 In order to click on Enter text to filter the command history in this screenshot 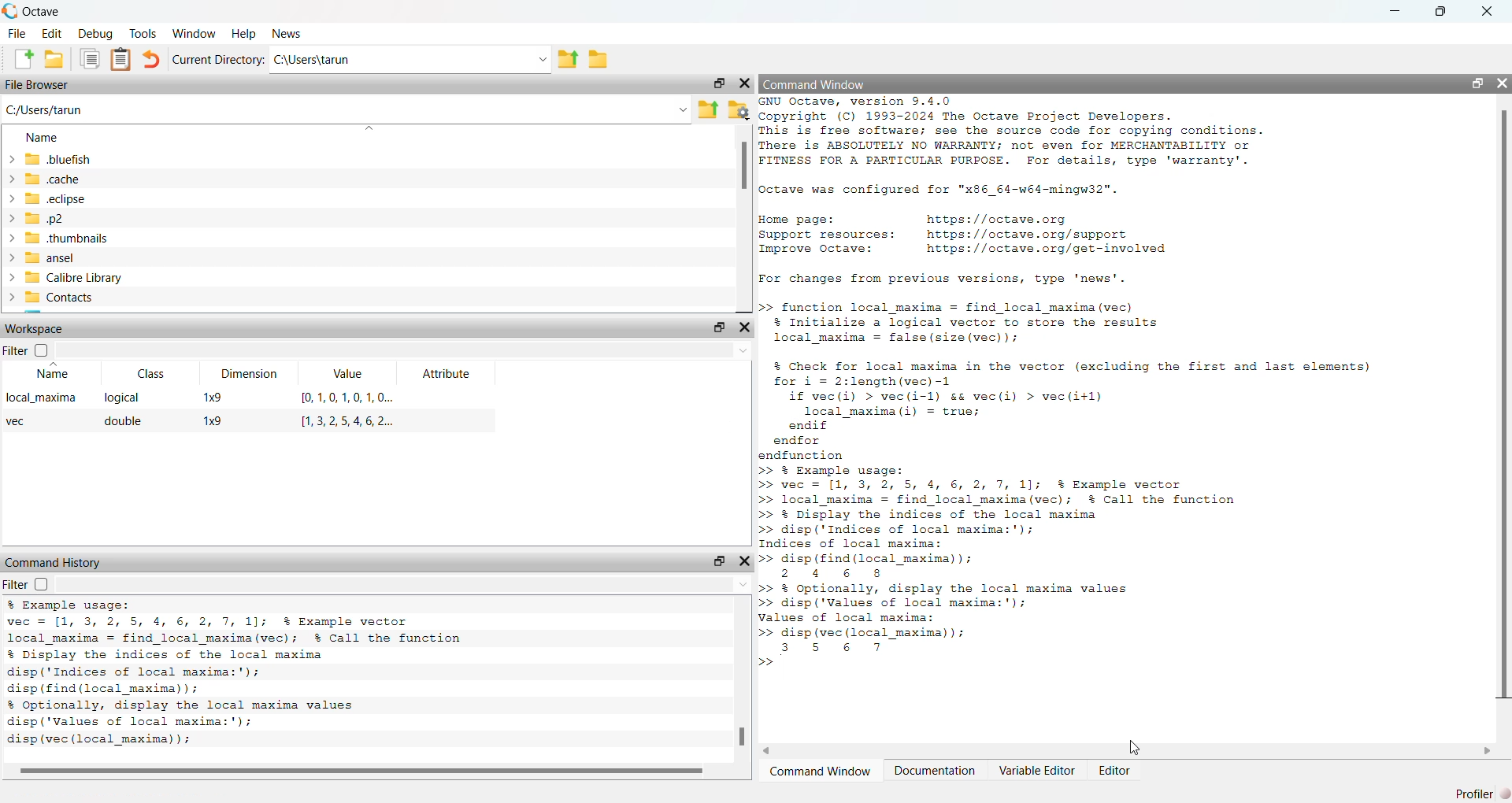, I will do `click(405, 583)`.